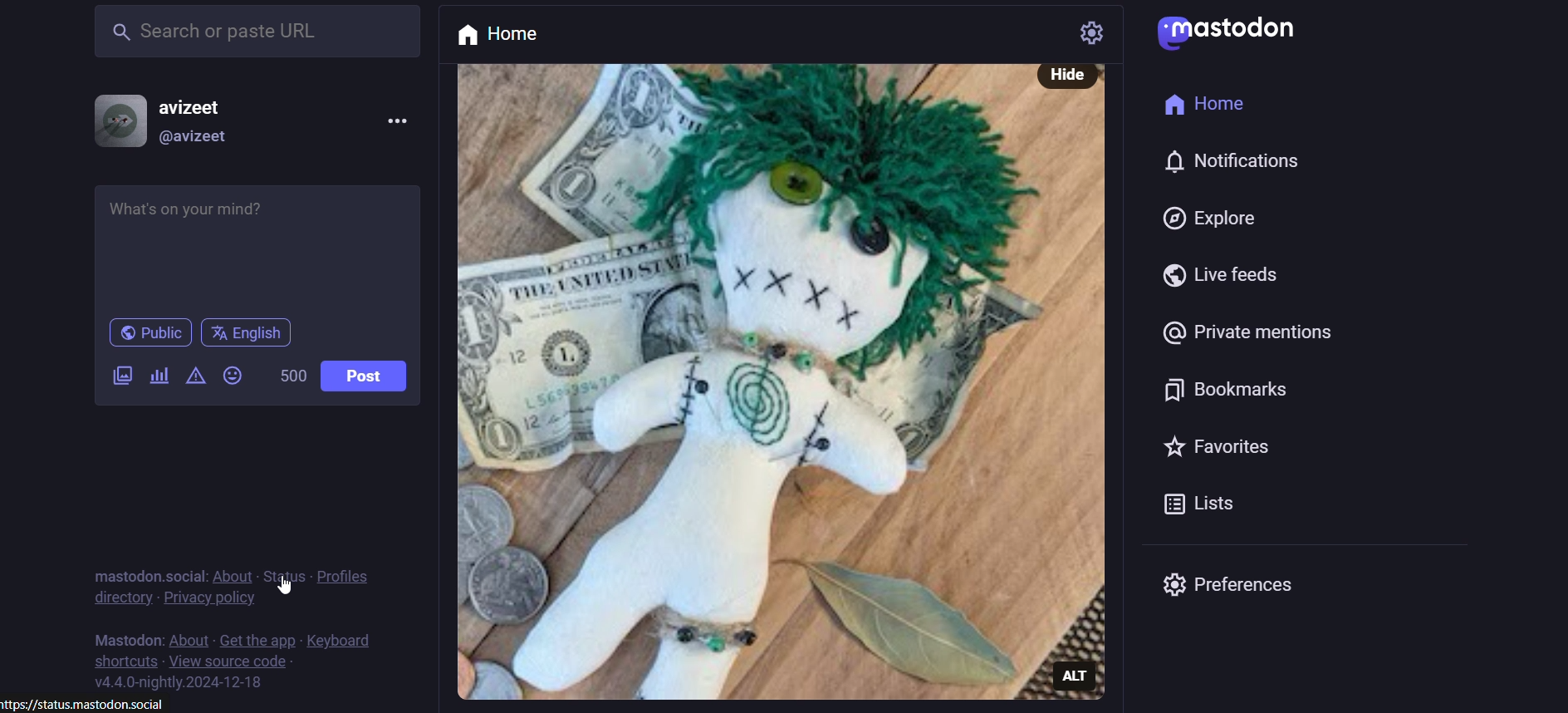 The image size is (1568, 713). Describe the element at coordinates (1075, 669) in the screenshot. I see `ALT` at that location.